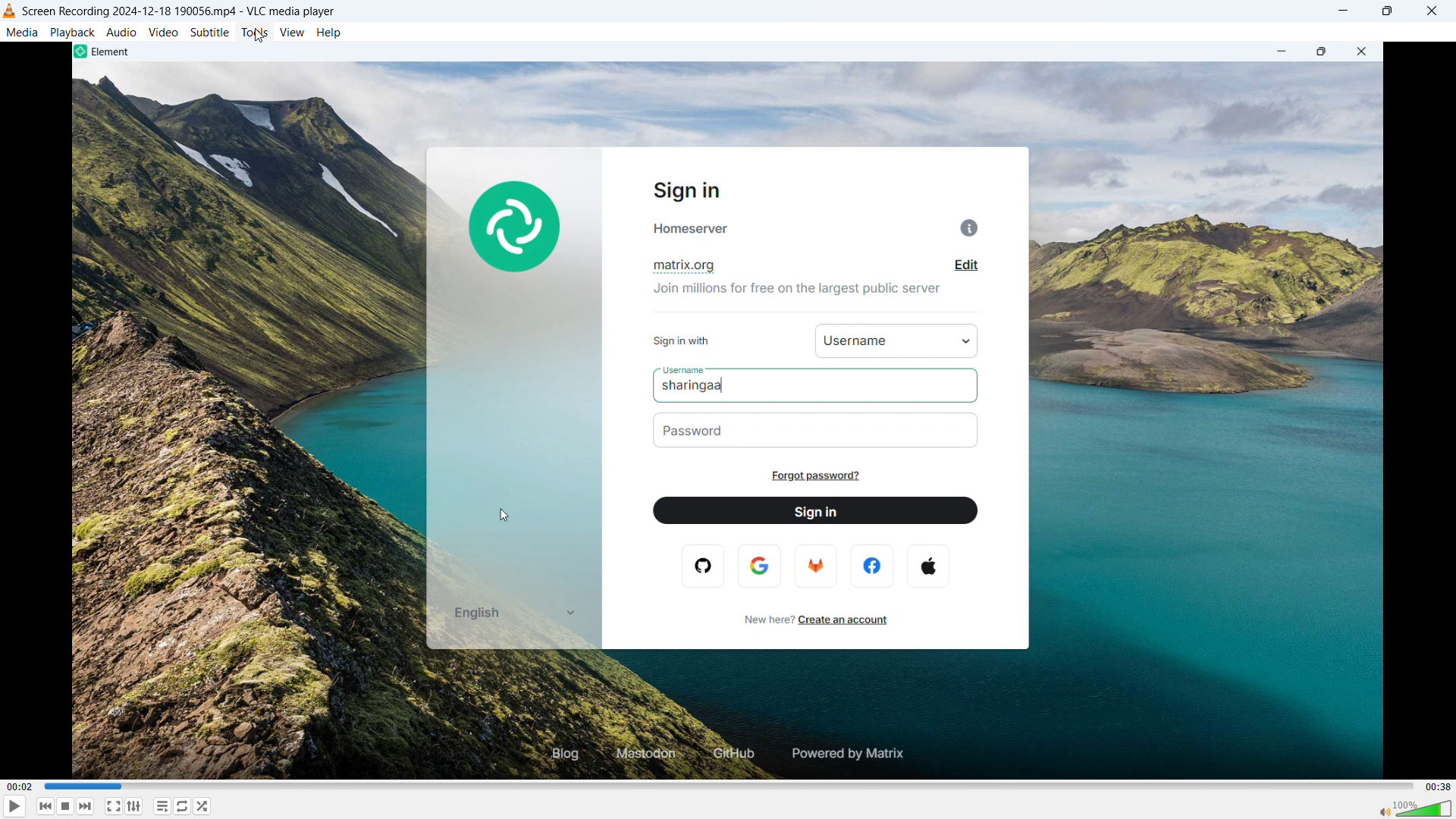 This screenshot has width=1456, height=819. Describe the element at coordinates (1341, 10) in the screenshot. I see `minimize` at that location.